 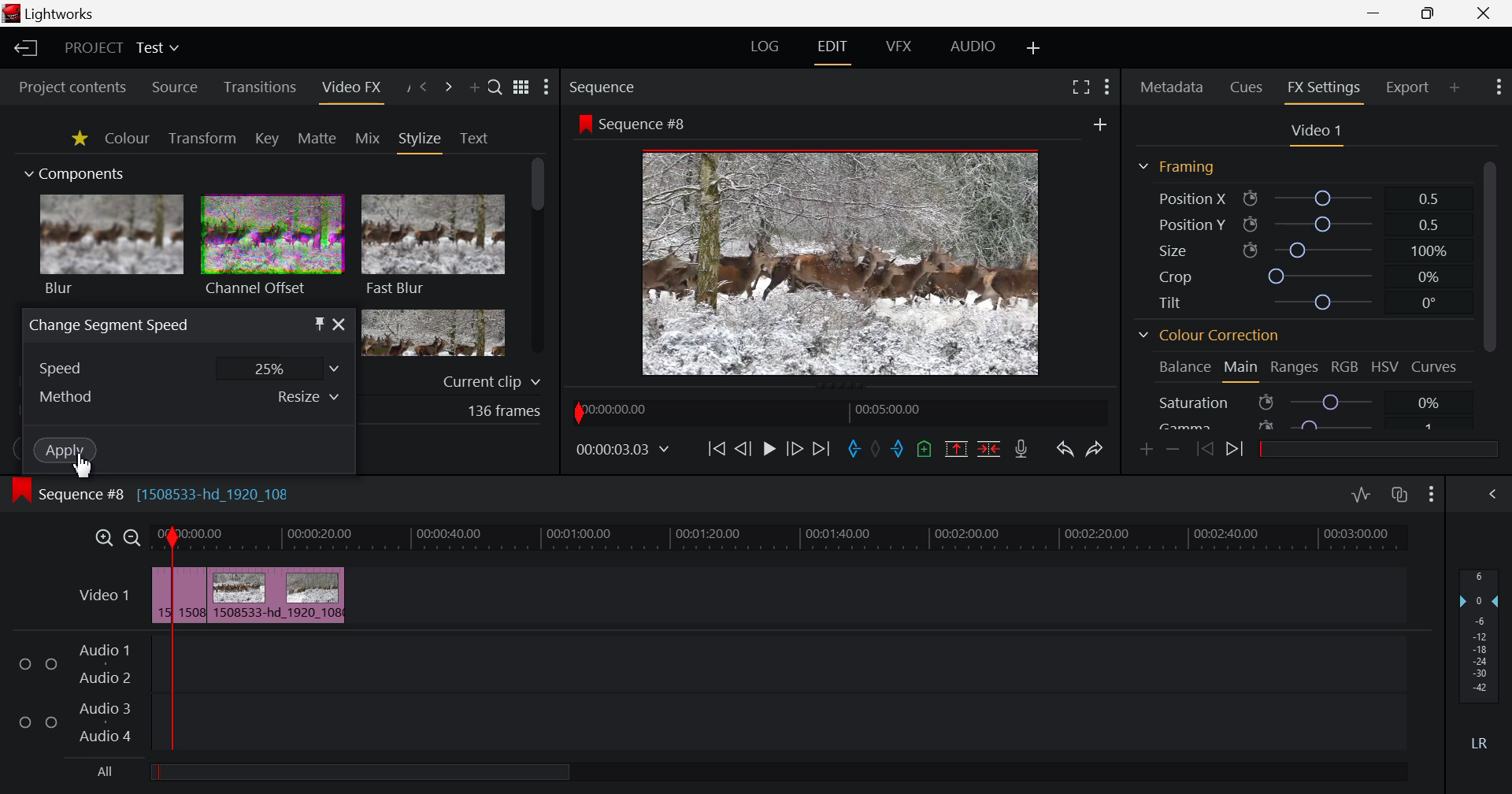 What do you see at coordinates (76, 175) in the screenshot?
I see `Components` at bounding box center [76, 175].